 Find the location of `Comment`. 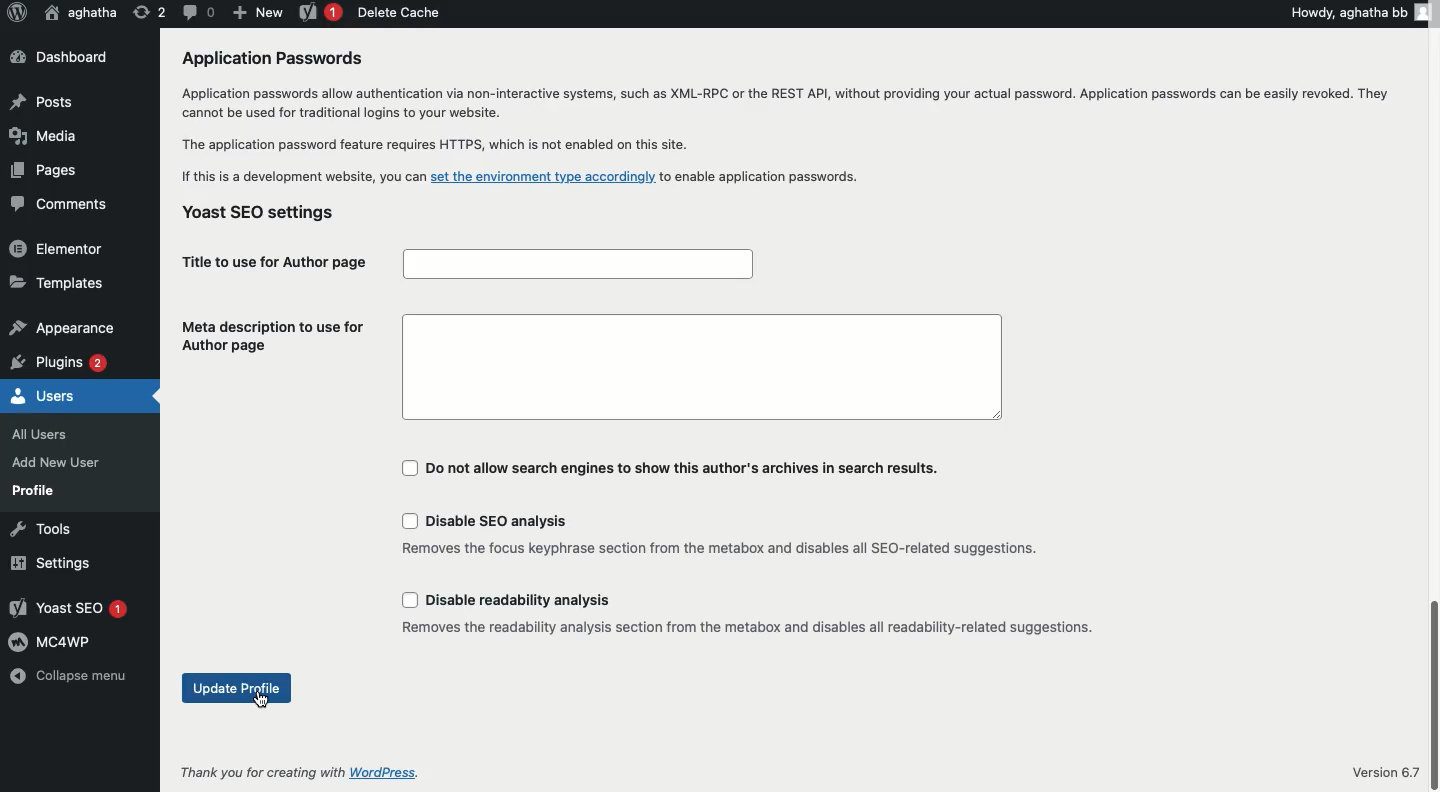

Comment is located at coordinates (197, 11).